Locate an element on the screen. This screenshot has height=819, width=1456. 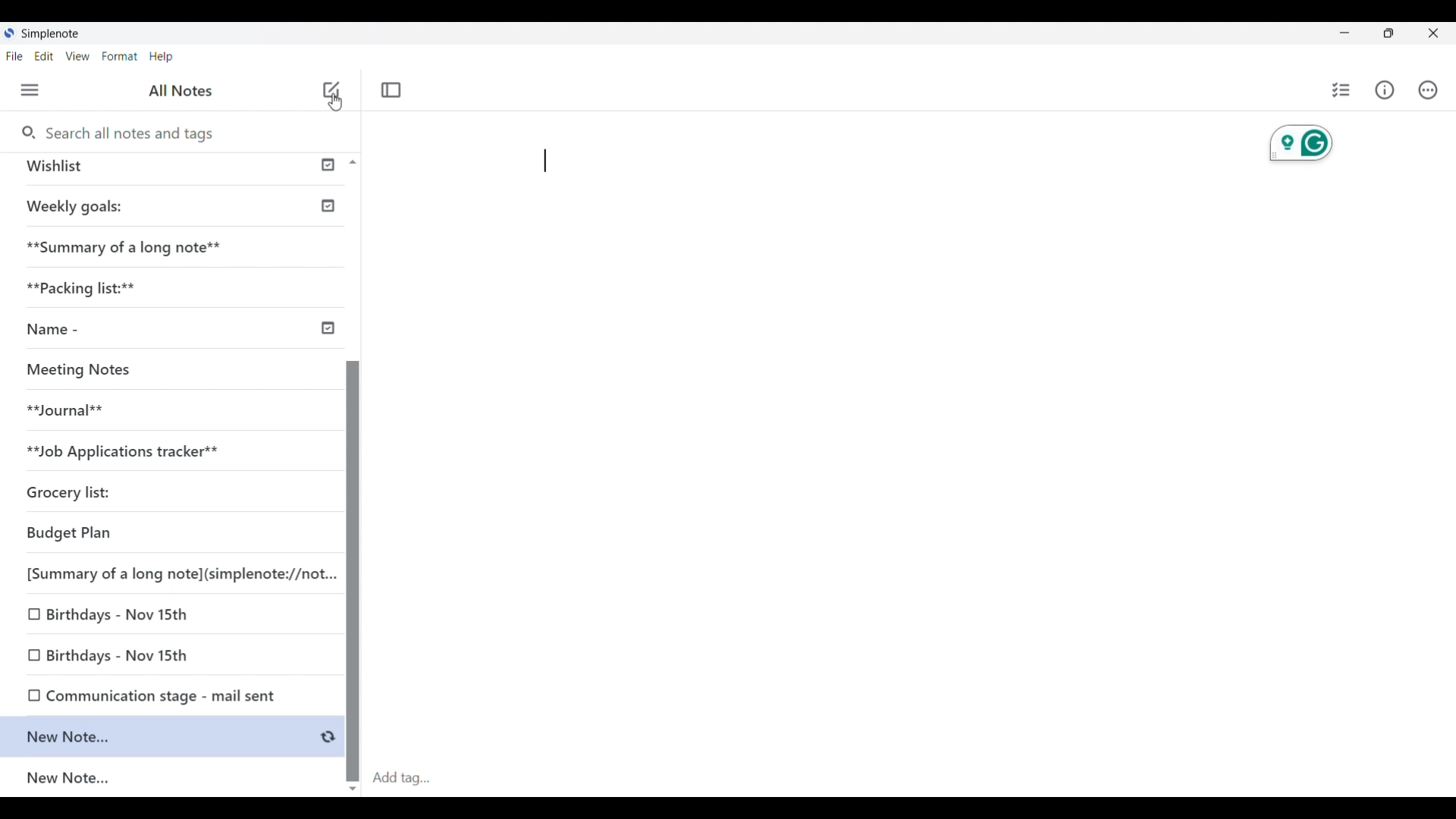
Saving is located at coordinates (328, 737).